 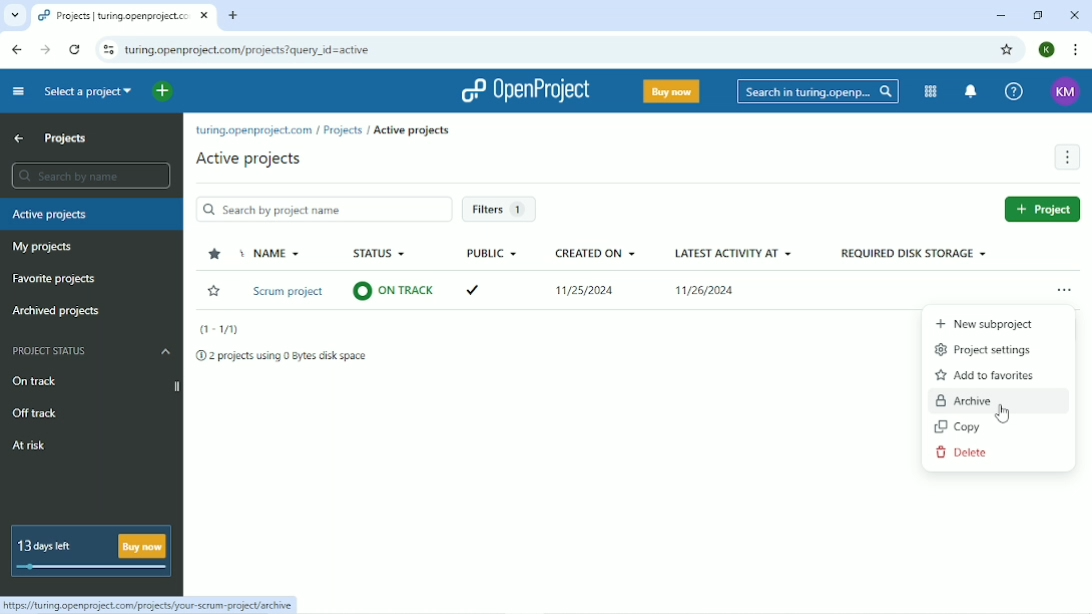 What do you see at coordinates (55, 312) in the screenshot?
I see `Archived projects` at bounding box center [55, 312].